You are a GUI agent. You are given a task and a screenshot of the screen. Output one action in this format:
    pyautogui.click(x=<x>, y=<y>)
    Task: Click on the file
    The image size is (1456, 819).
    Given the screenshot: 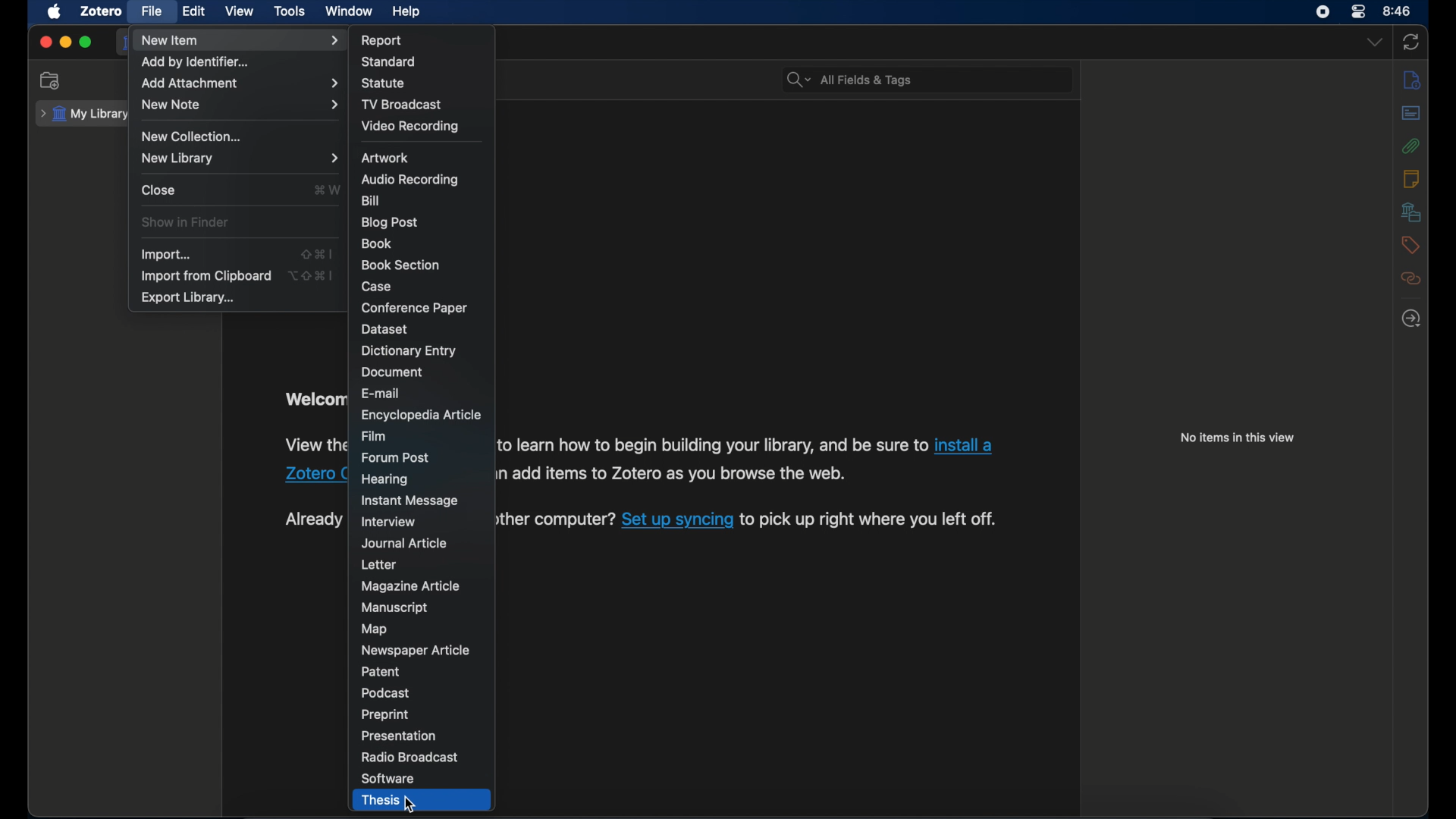 What is the action you would take?
    pyautogui.click(x=152, y=11)
    